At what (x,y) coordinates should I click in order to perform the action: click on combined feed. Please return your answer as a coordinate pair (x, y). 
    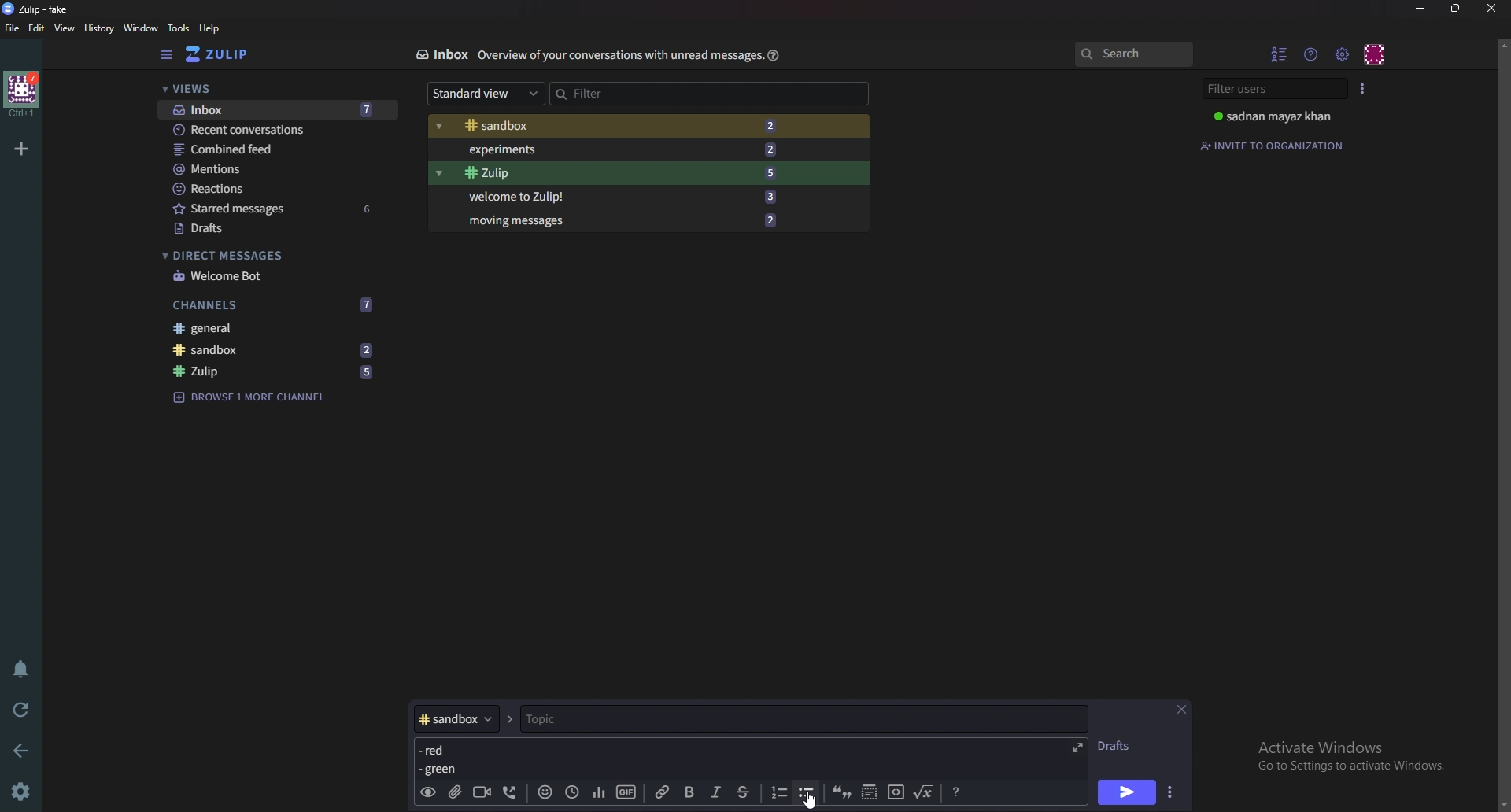
    Looking at the image, I should click on (277, 149).